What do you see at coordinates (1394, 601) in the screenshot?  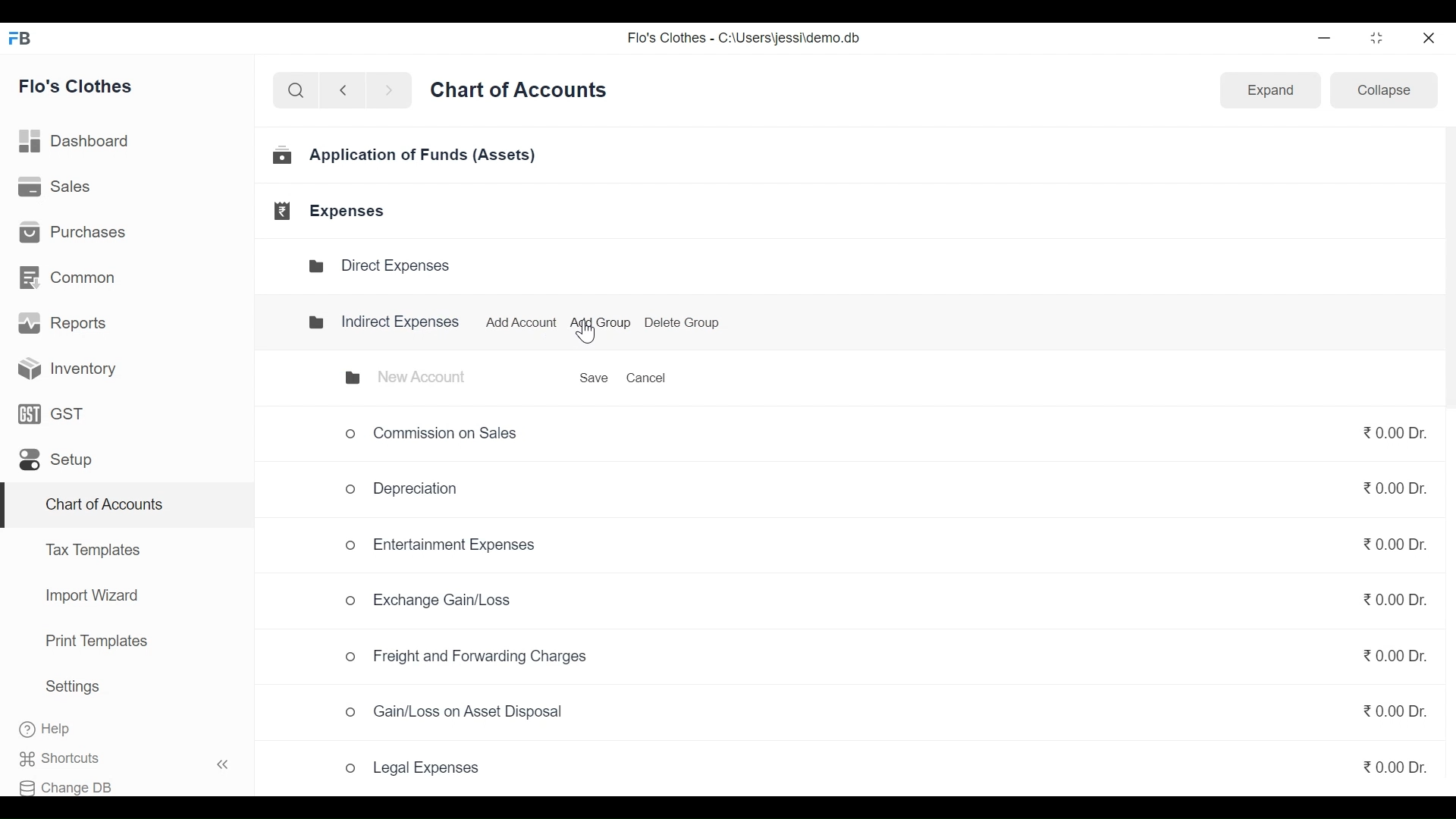 I see `₹0.00 Dr.` at bounding box center [1394, 601].